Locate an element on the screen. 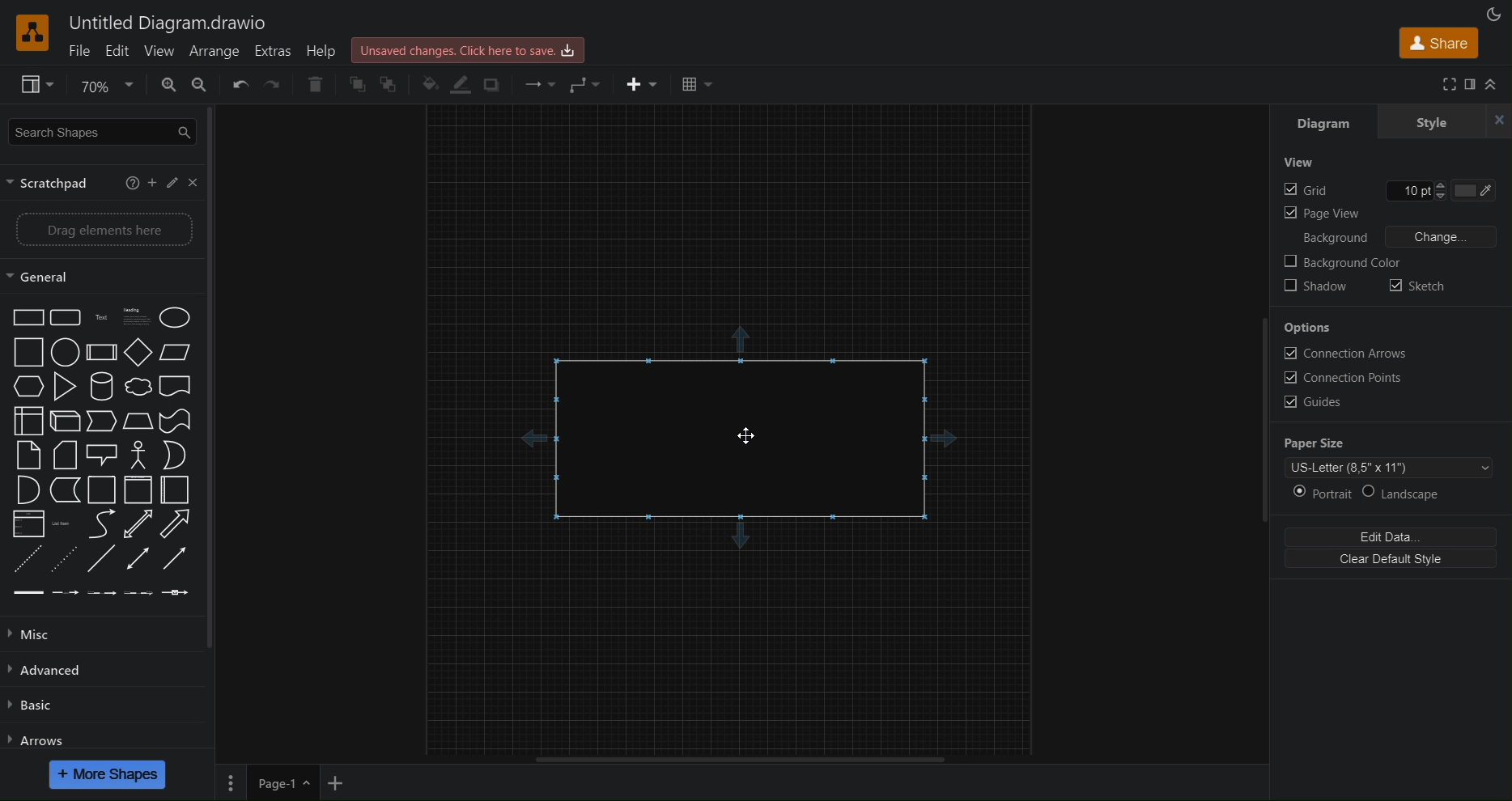 This screenshot has width=1512, height=801. Format is located at coordinates (1471, 86).